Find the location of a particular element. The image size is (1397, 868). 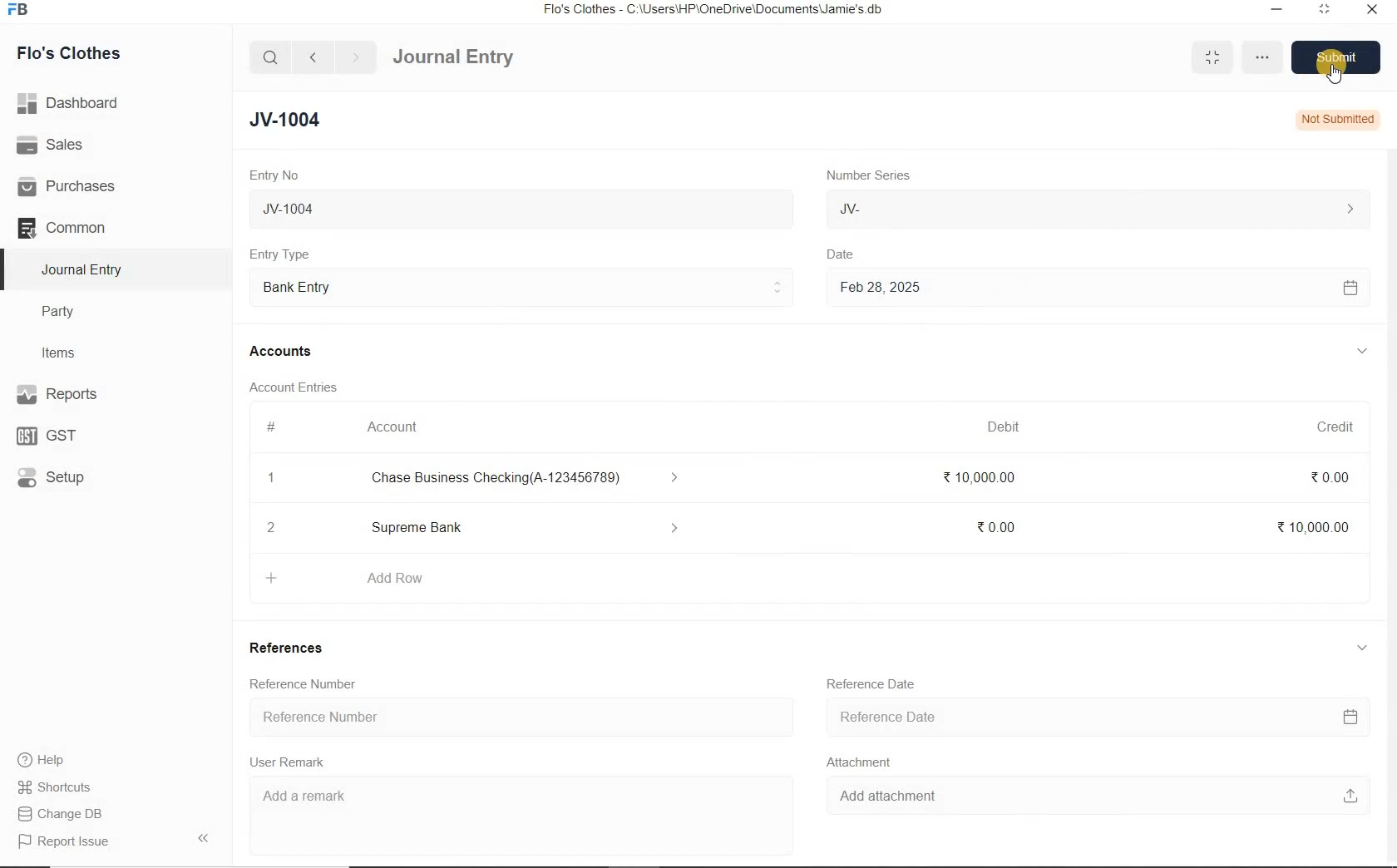

Credit is located at coordinates (1325, 424).